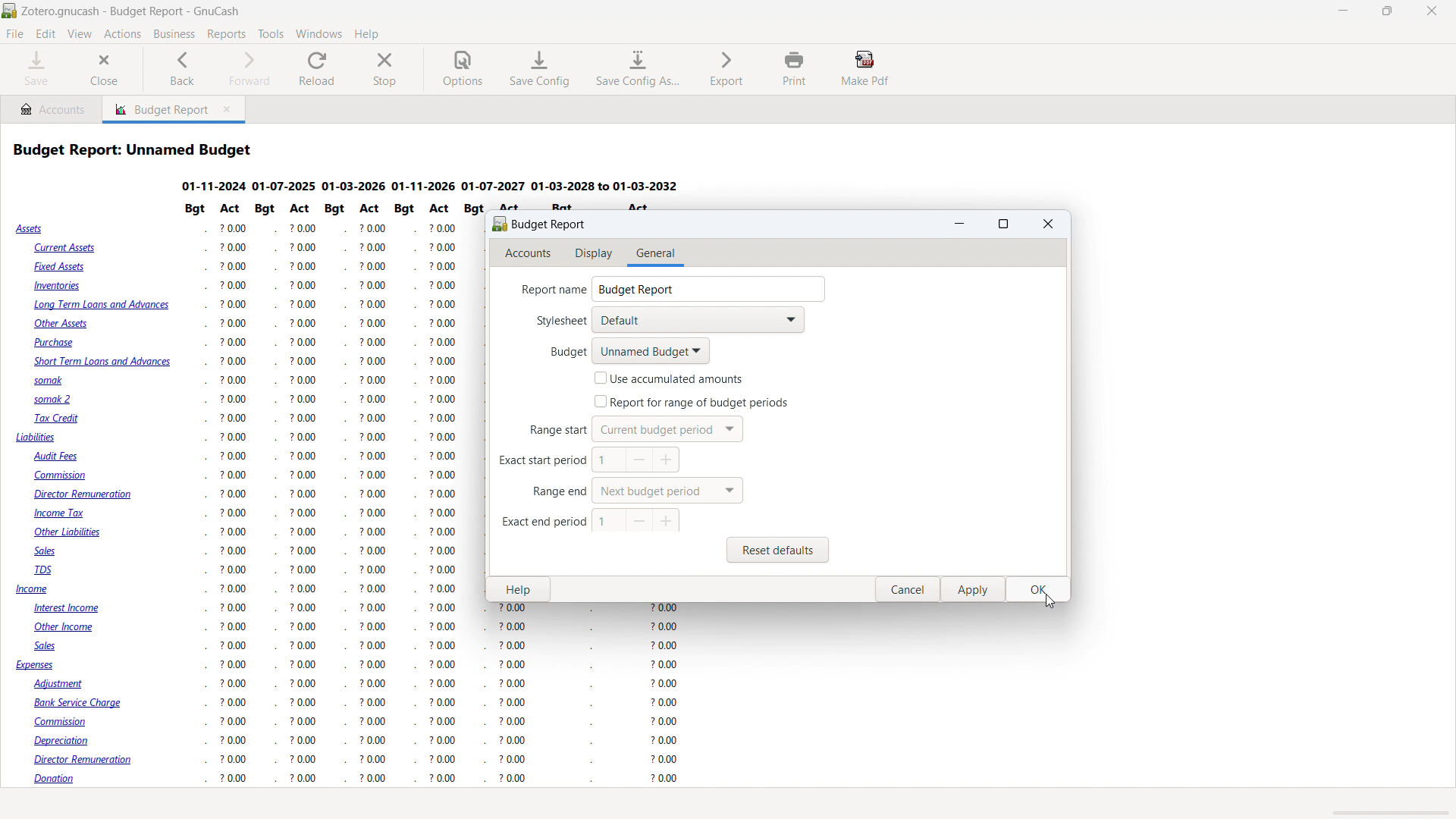 Image resolution: width=1456 pixels, height=819 pixels. I want to click on display, so click(595, 254).